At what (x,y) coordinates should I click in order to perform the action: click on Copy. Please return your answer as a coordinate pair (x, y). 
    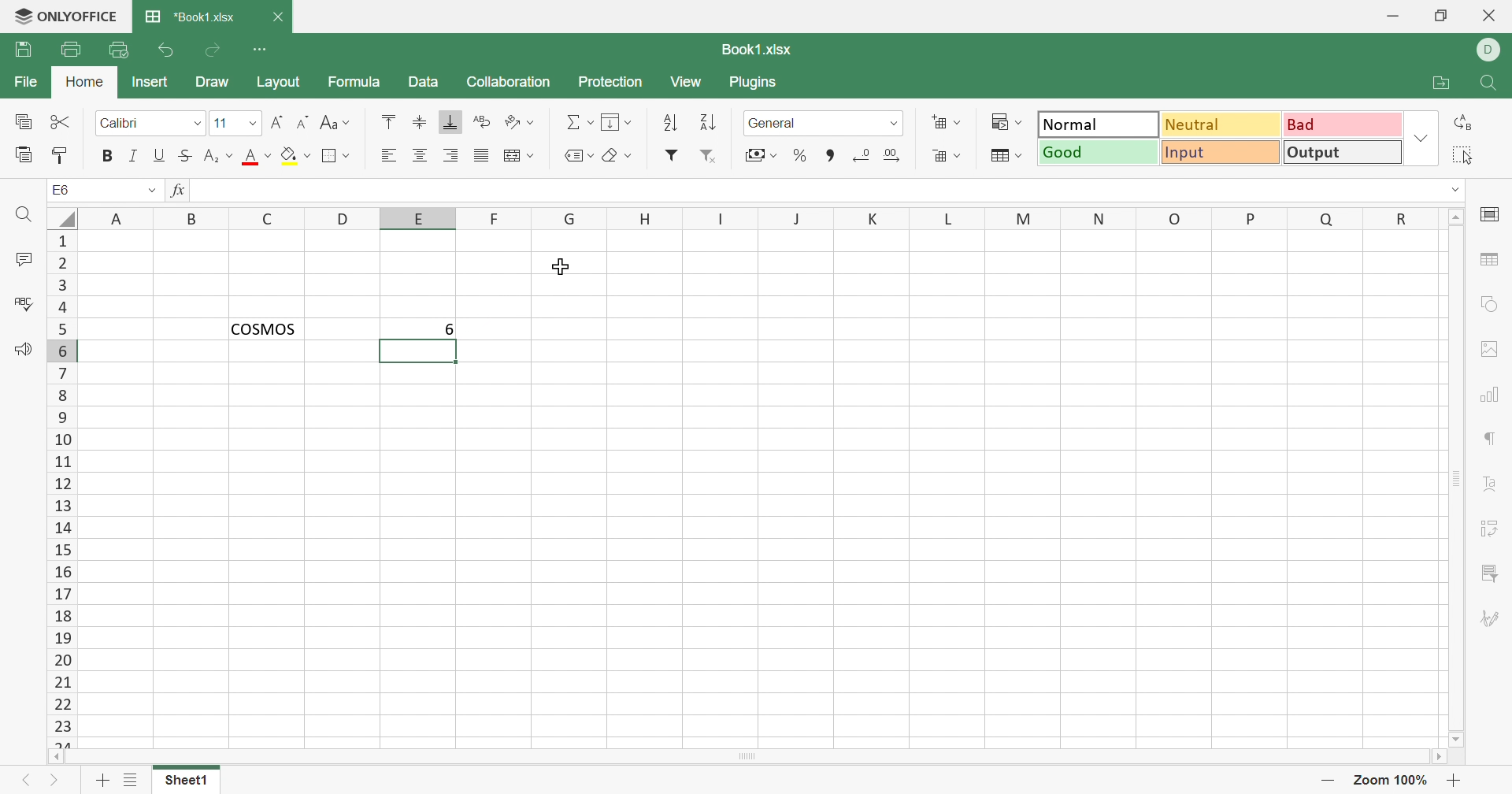
    Looking at the image, I should click on (23, 121).